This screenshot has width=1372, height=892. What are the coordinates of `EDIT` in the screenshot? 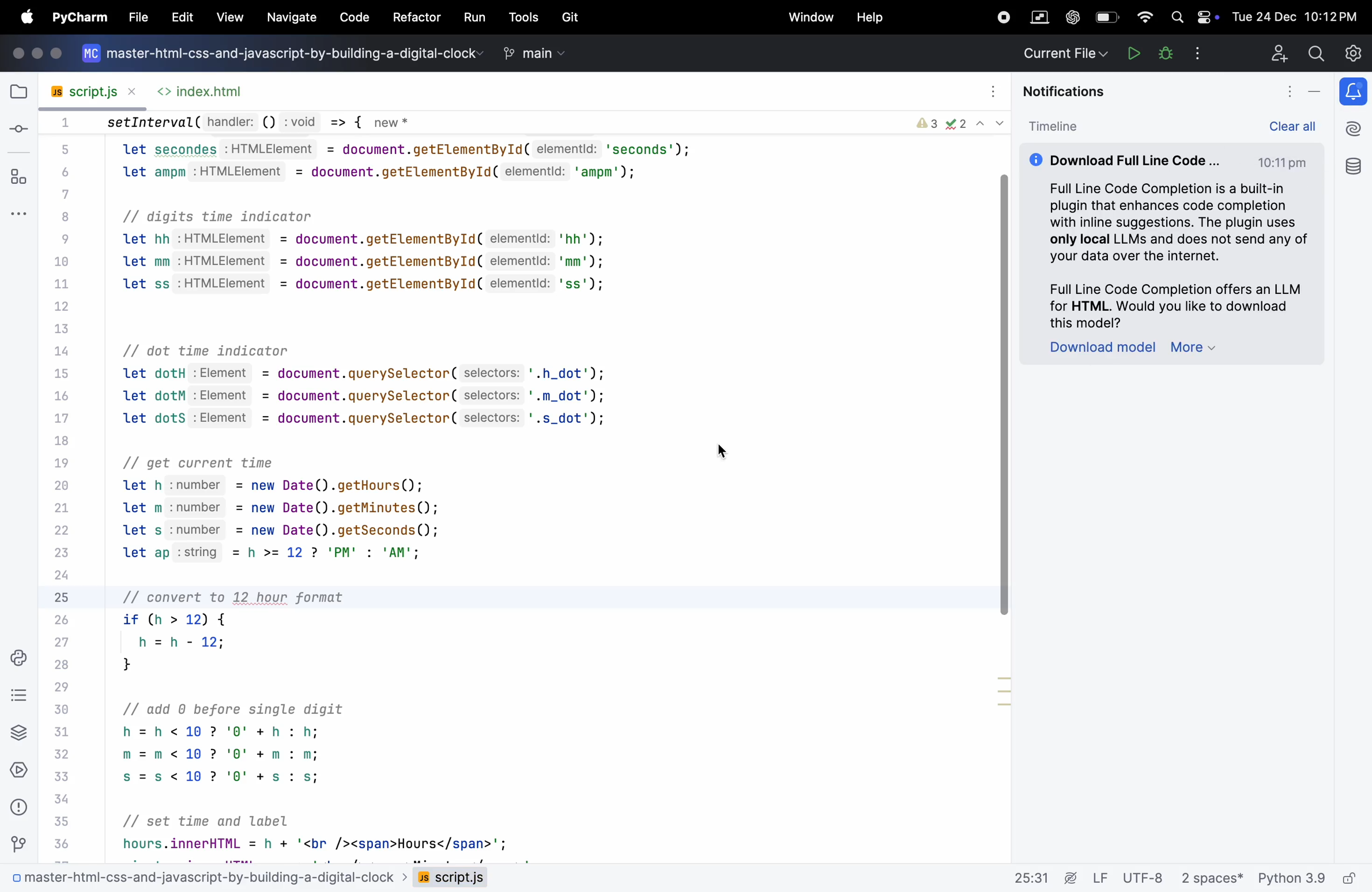 It's located at (183, 18).